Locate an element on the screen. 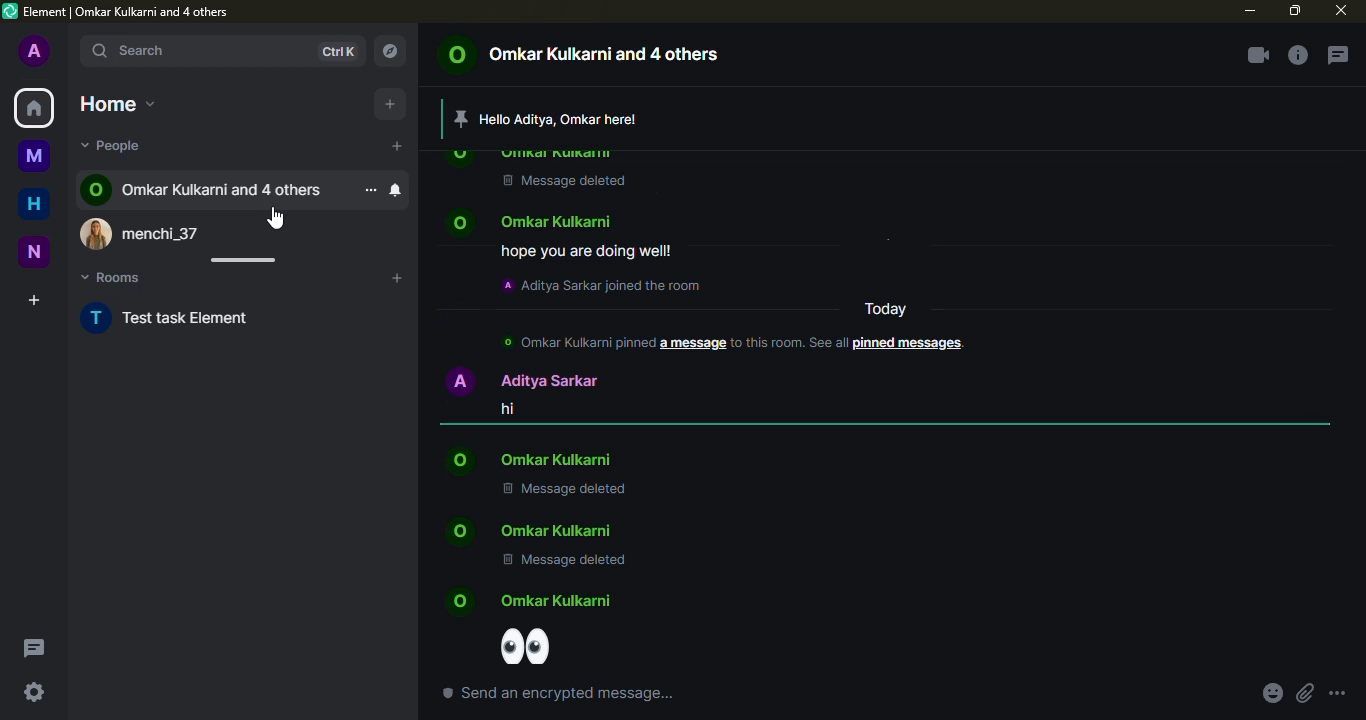  hope you are doing well! is located at coordinates (587, 251).